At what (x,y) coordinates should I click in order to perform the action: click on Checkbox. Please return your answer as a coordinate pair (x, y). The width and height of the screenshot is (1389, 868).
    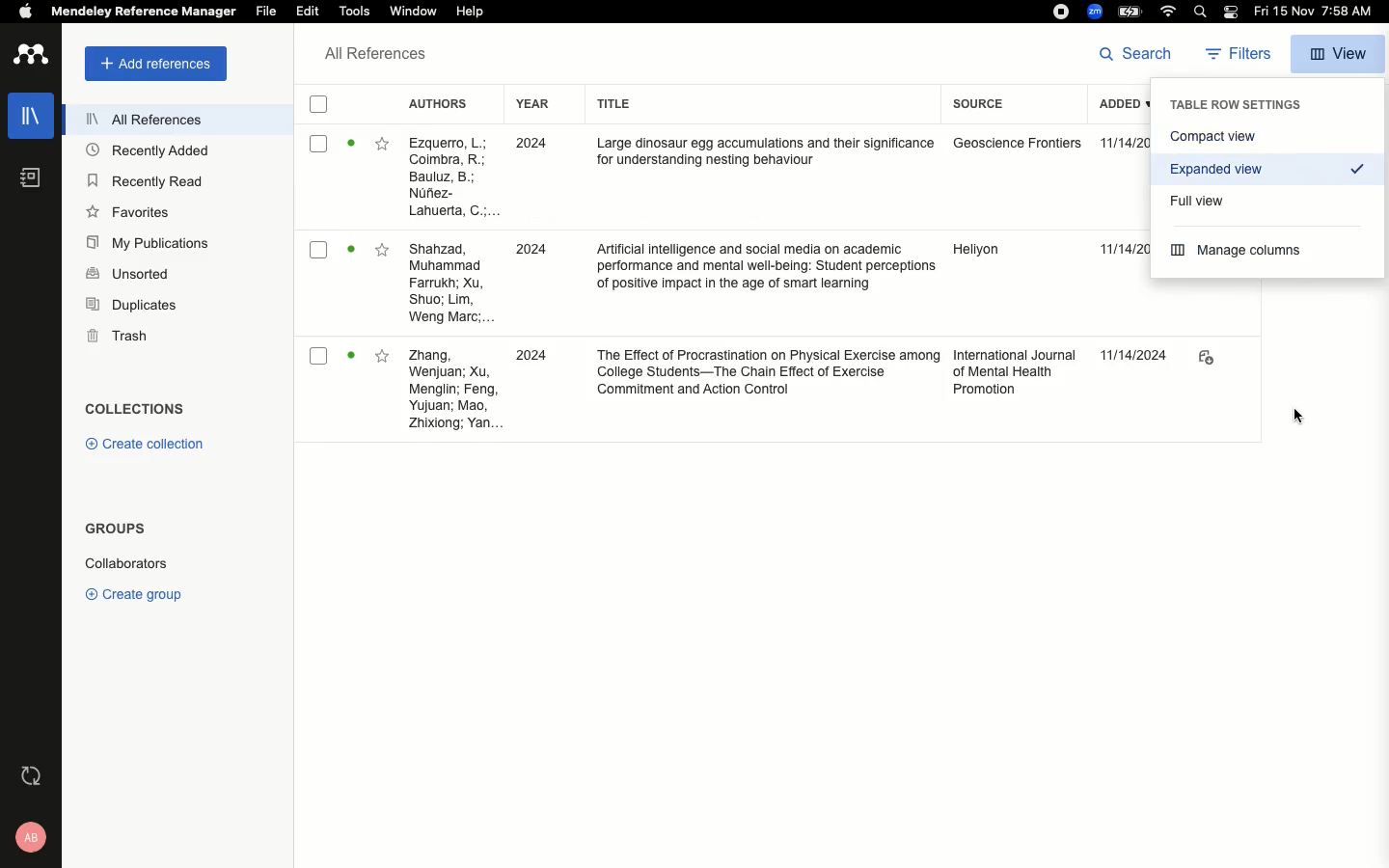
    Looking at the image, I should click on (319, 249).